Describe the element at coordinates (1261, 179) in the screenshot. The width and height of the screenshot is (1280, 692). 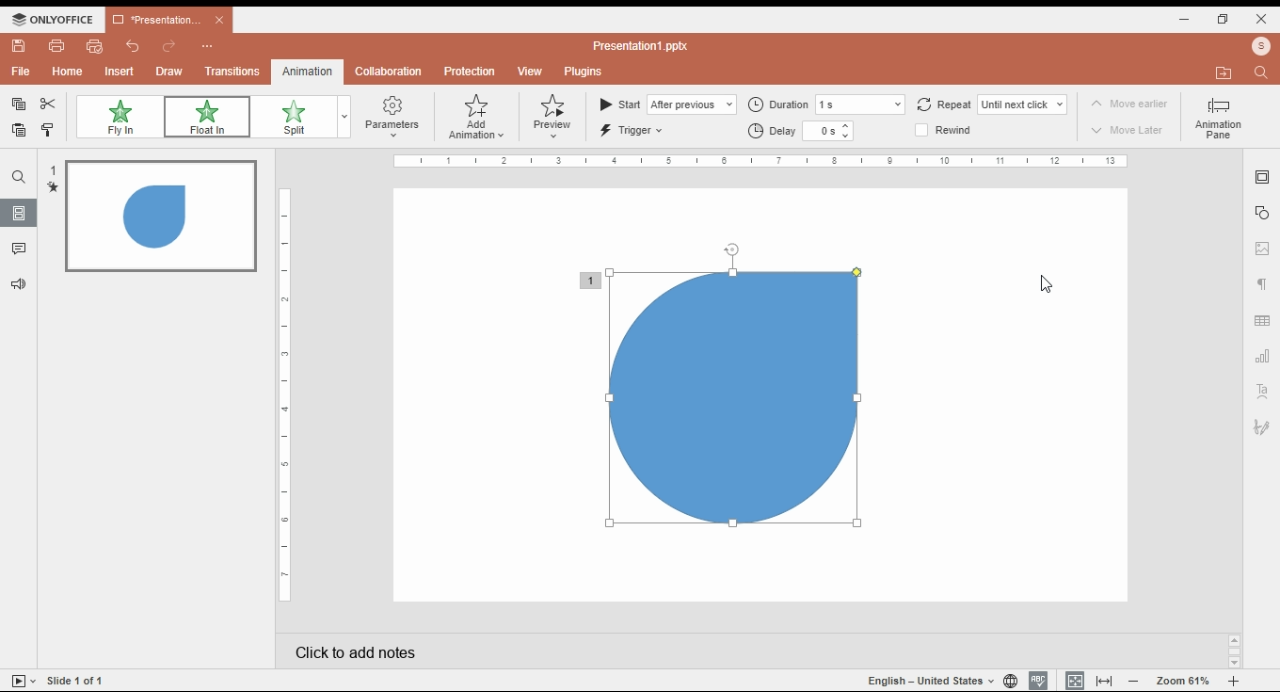
I see `slide settings` at that location.